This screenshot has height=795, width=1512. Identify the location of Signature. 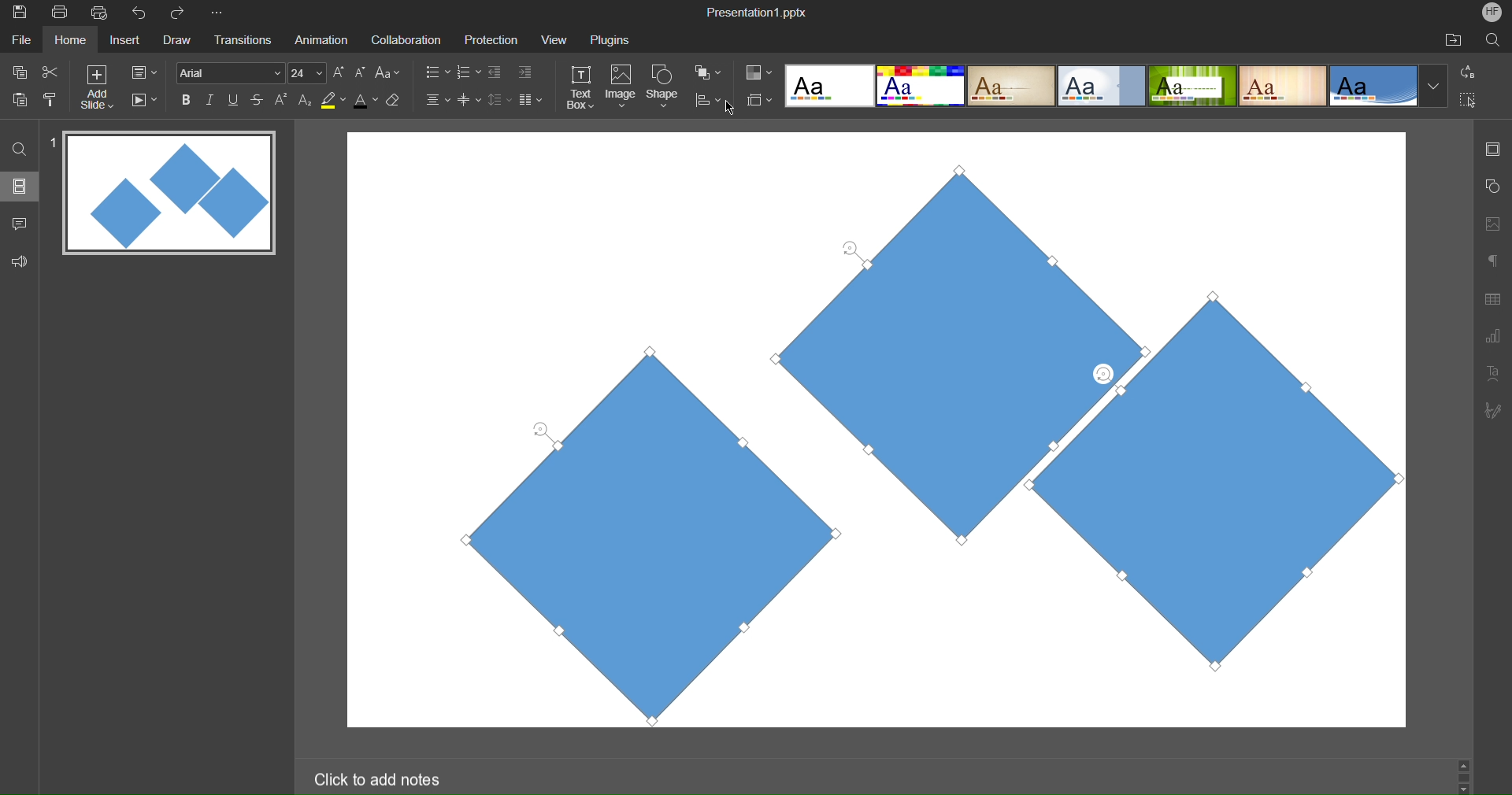
(1492, 410).